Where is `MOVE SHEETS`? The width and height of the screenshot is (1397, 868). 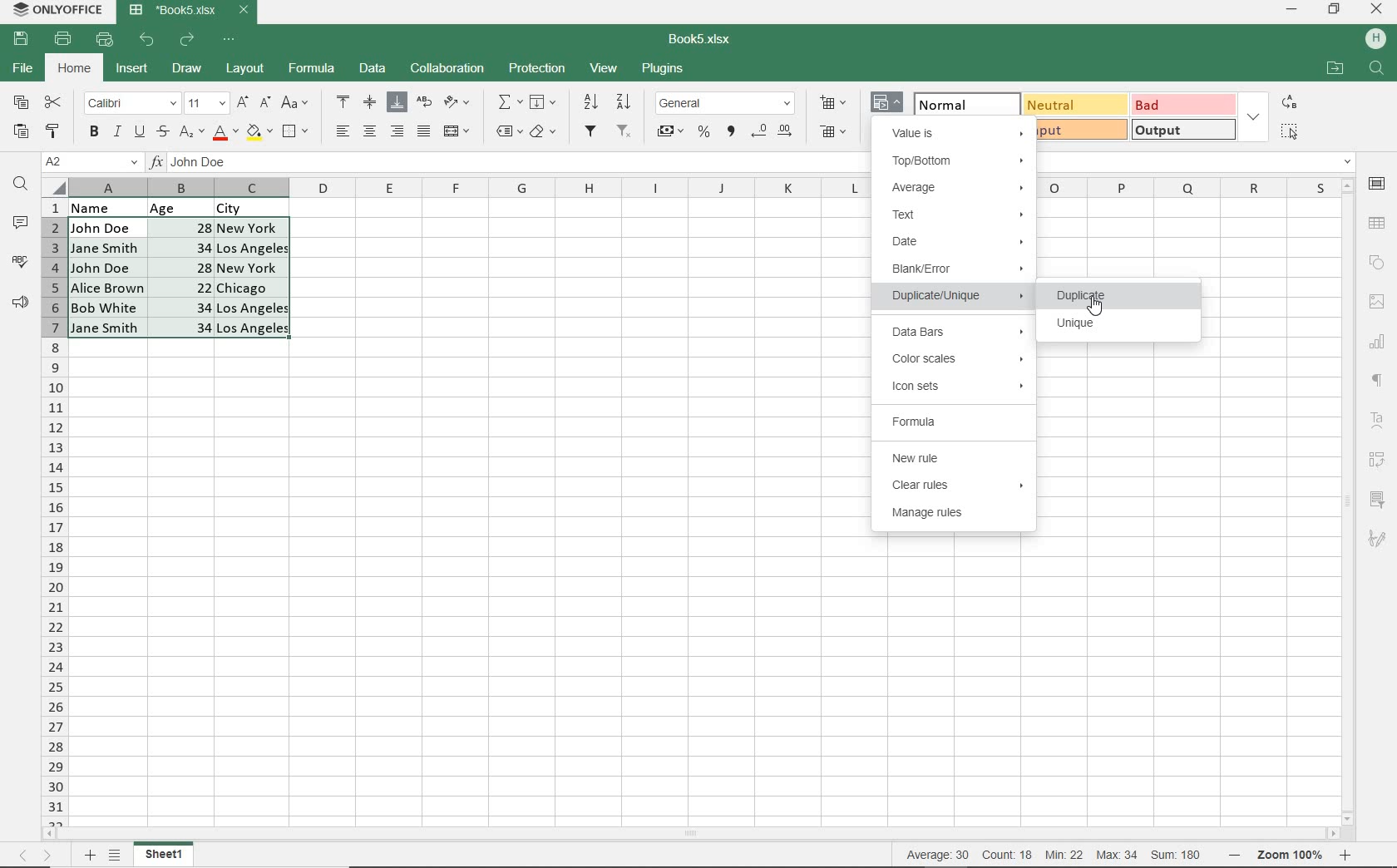 MOVE SHEETS is located at coordinates (35, 856).